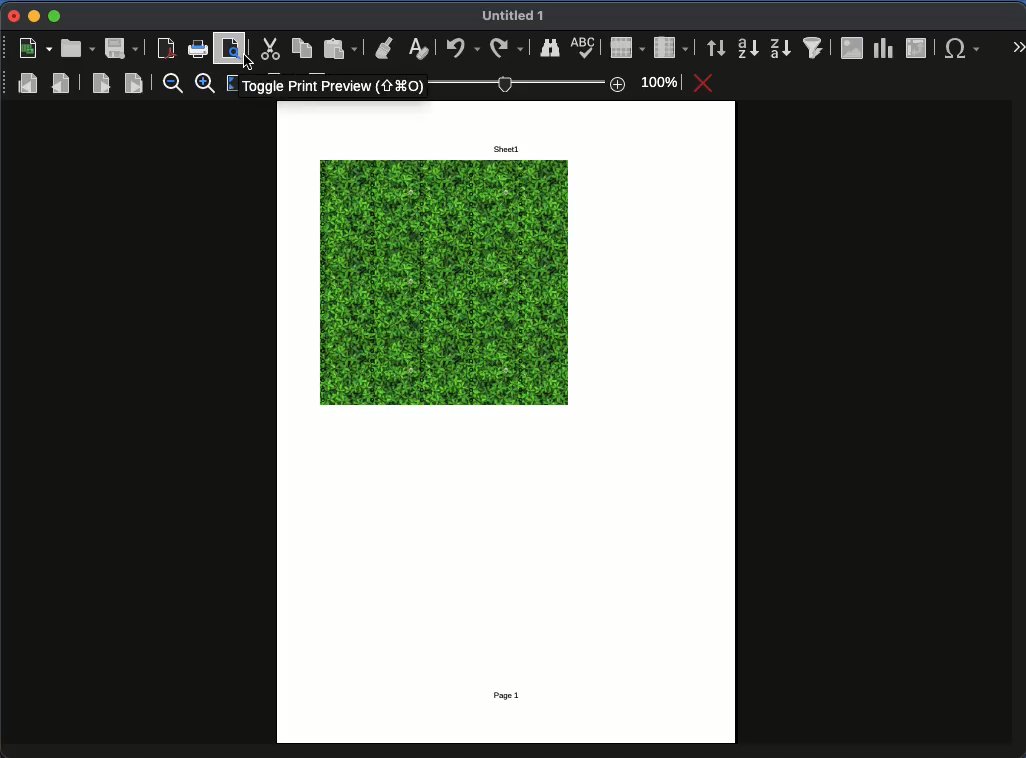  What do you see at coordinates (628, 48) in the screenshot?
I see `row` at bounding box center [628, 48].